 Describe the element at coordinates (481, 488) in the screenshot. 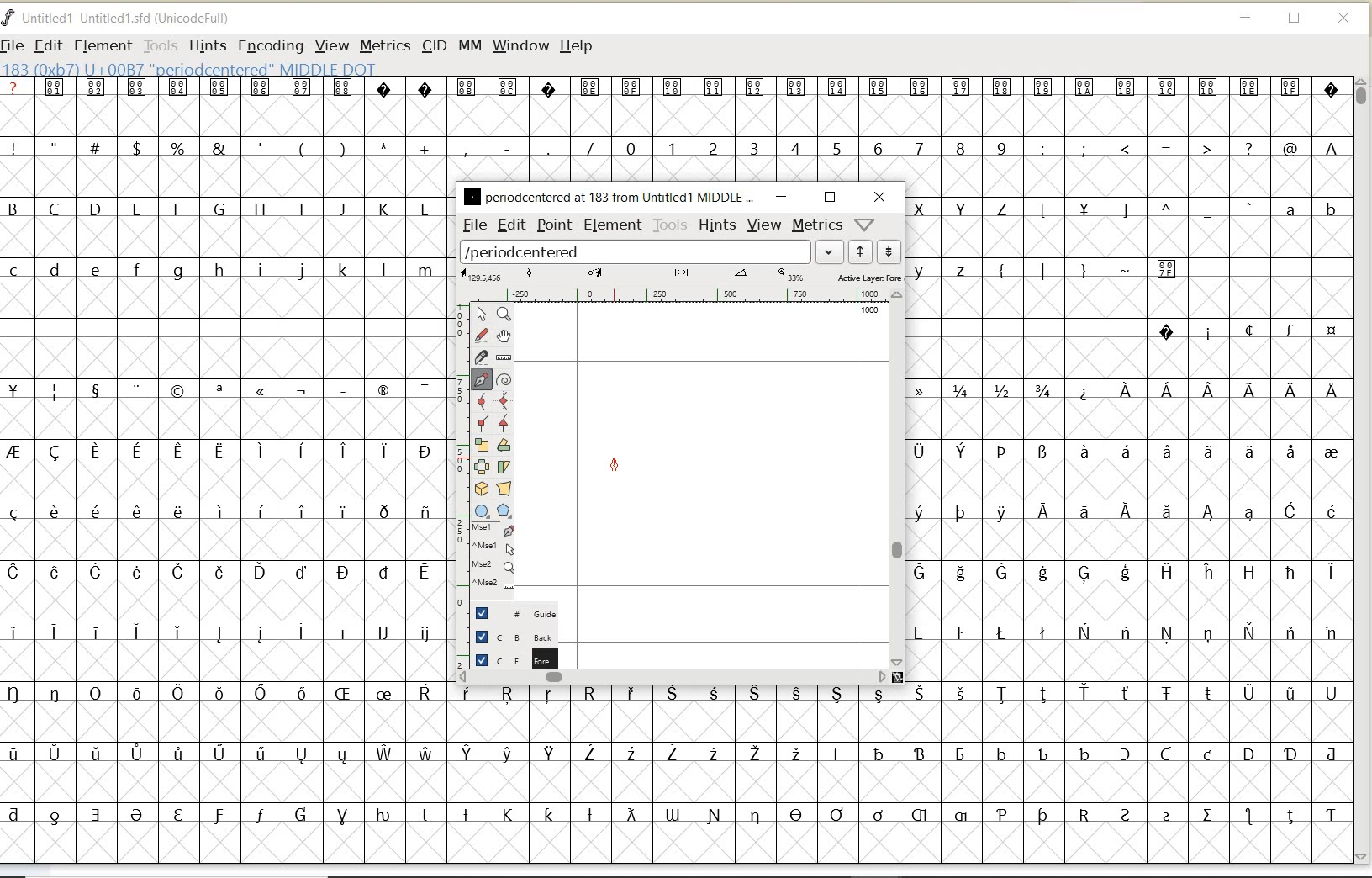

I see `rotate the selection in 3D and project back to plane` at that location.